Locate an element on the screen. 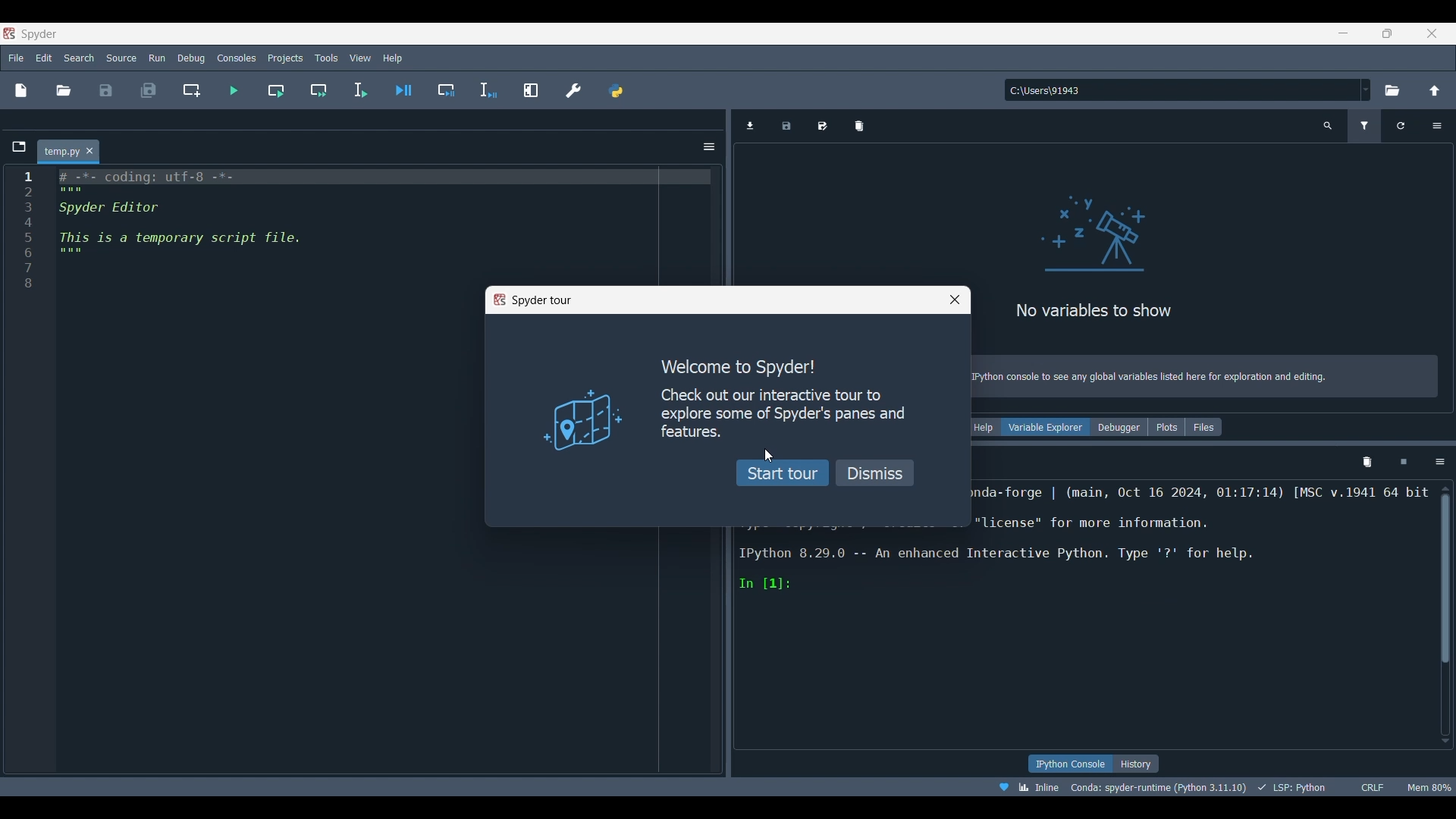 The width and height of the screenshot is (1456, 819). move up is located at coordinates (1445, 487).